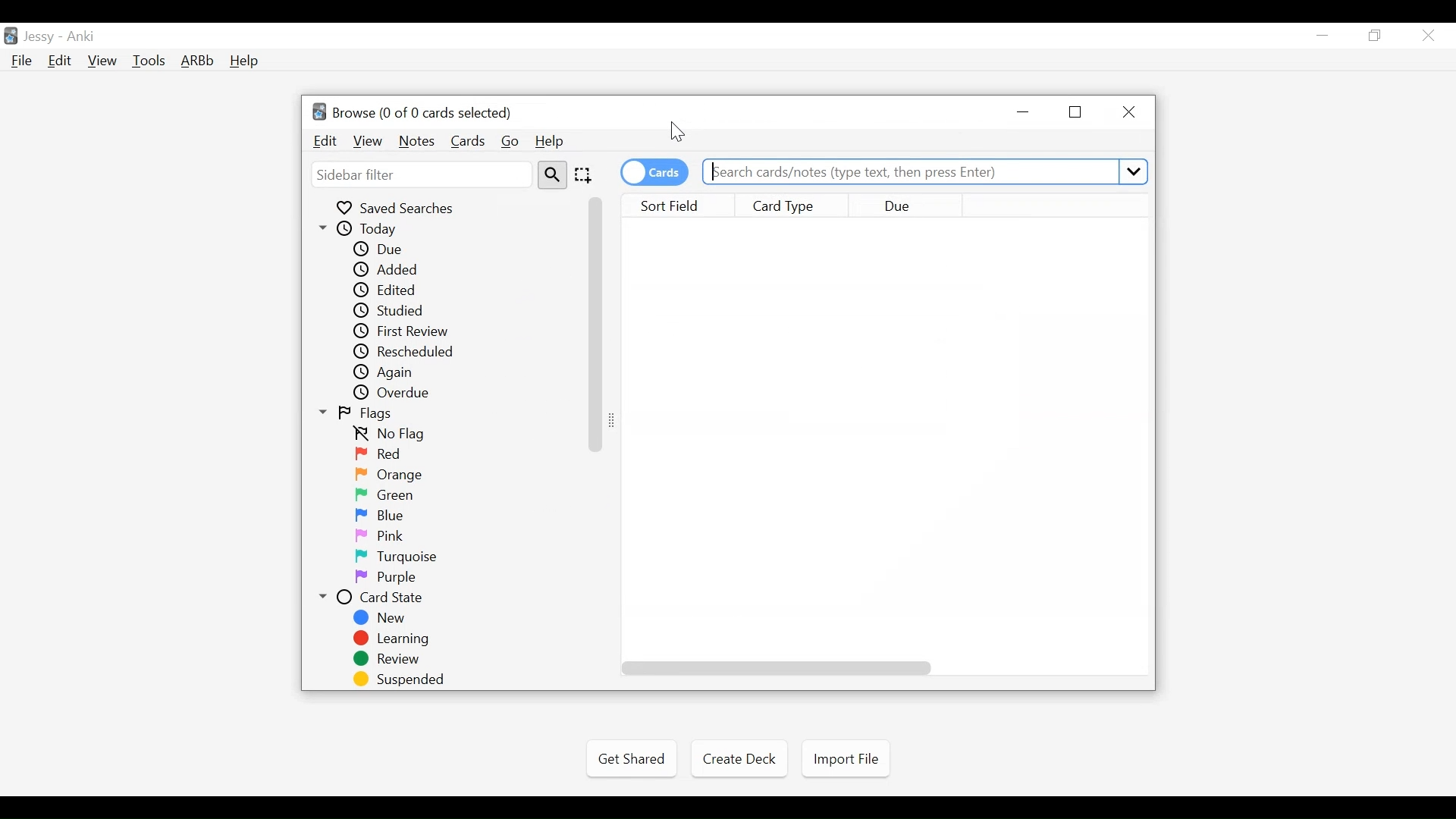 This screenshot has width=1456, height=819. What do you see at coordinates (413, 353) in the screenshot?
I see `Rescheduled` at bounding box center [413, 353].